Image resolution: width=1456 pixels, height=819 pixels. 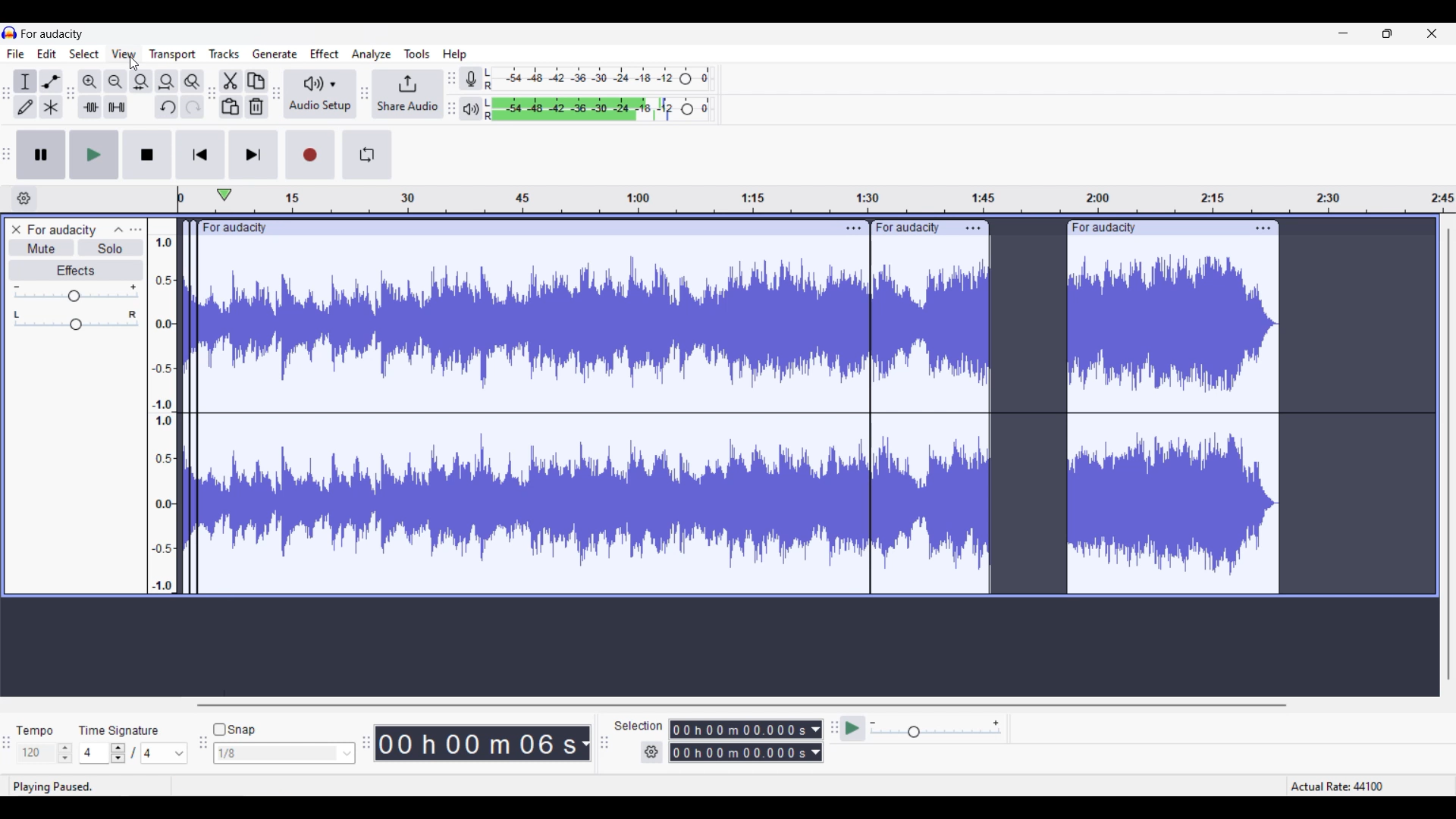 I want to click on Playback meter, so click(x=471, y=108).